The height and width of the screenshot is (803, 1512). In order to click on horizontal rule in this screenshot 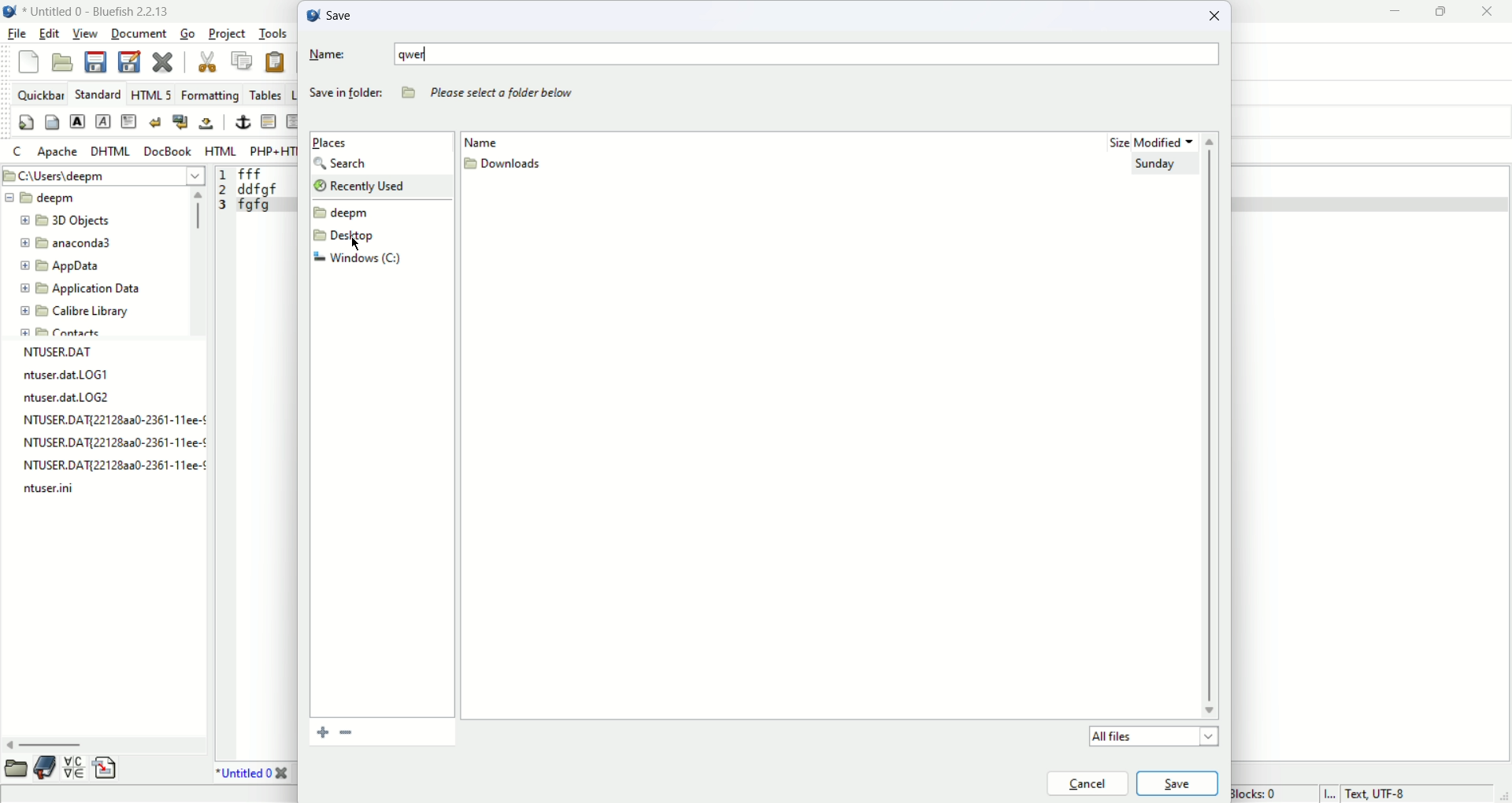, I will do `click(266, 122)`.